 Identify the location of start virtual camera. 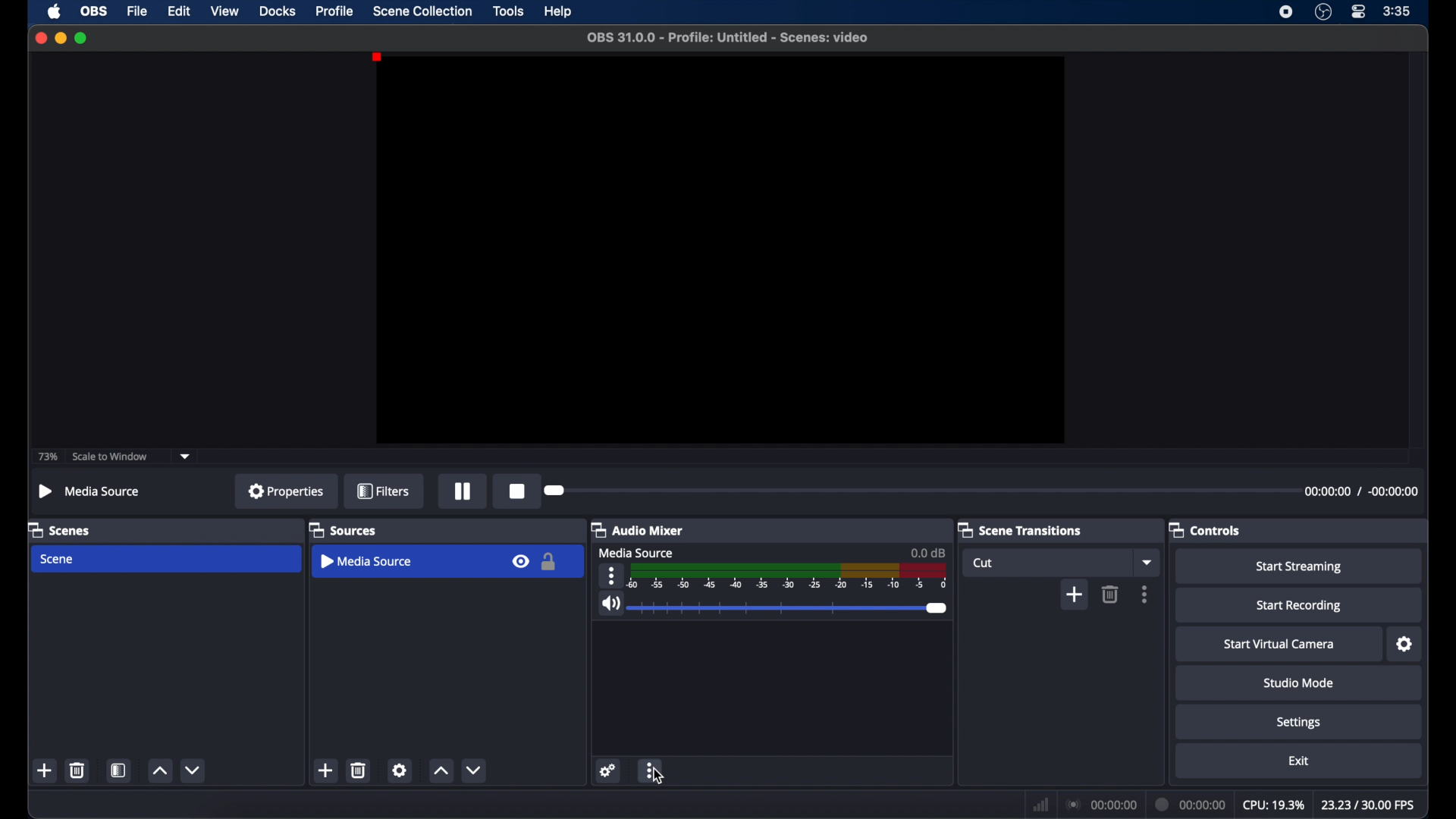
(1280, 644).